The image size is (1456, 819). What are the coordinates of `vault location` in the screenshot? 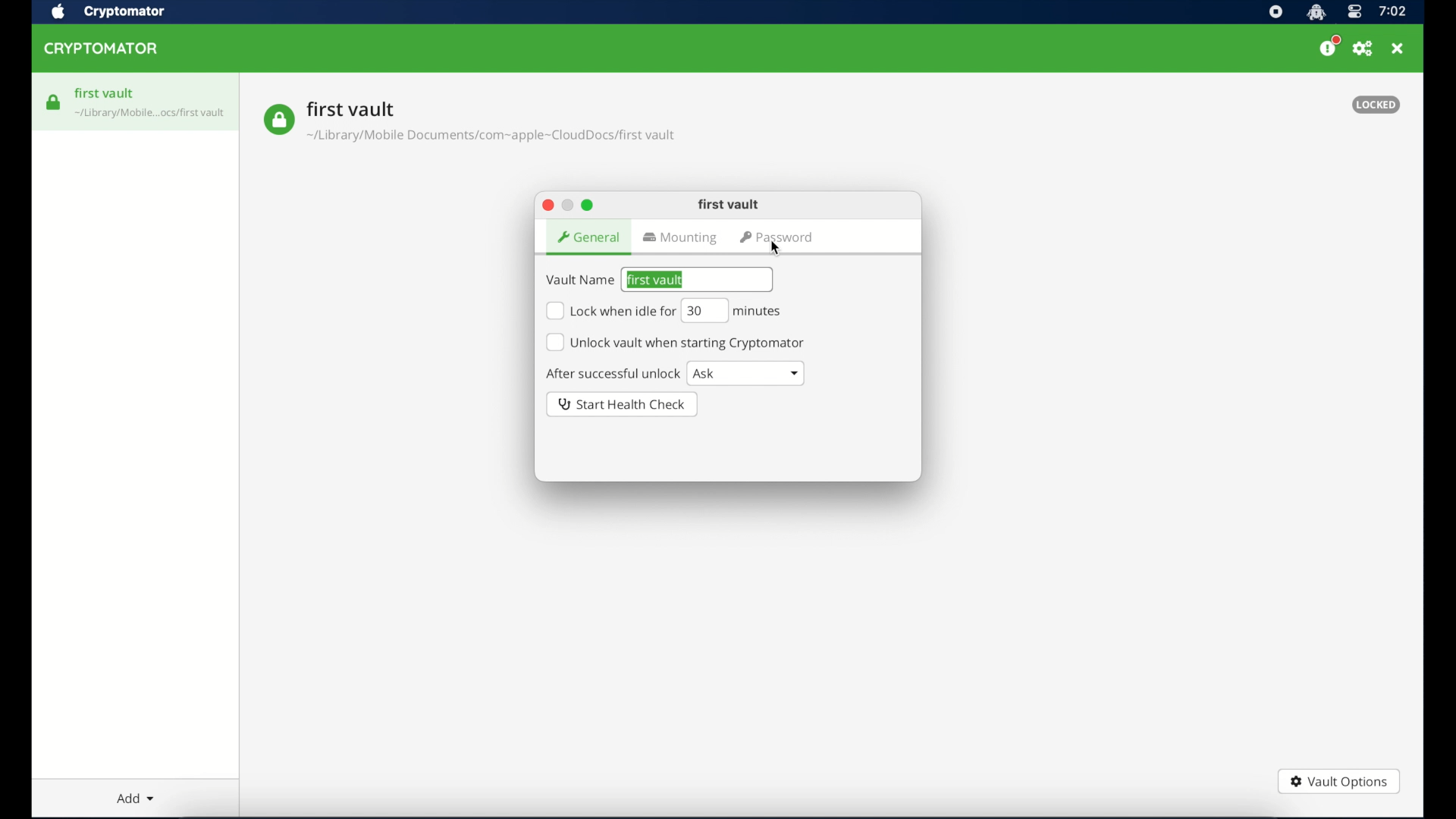 It's located at (493, 138).